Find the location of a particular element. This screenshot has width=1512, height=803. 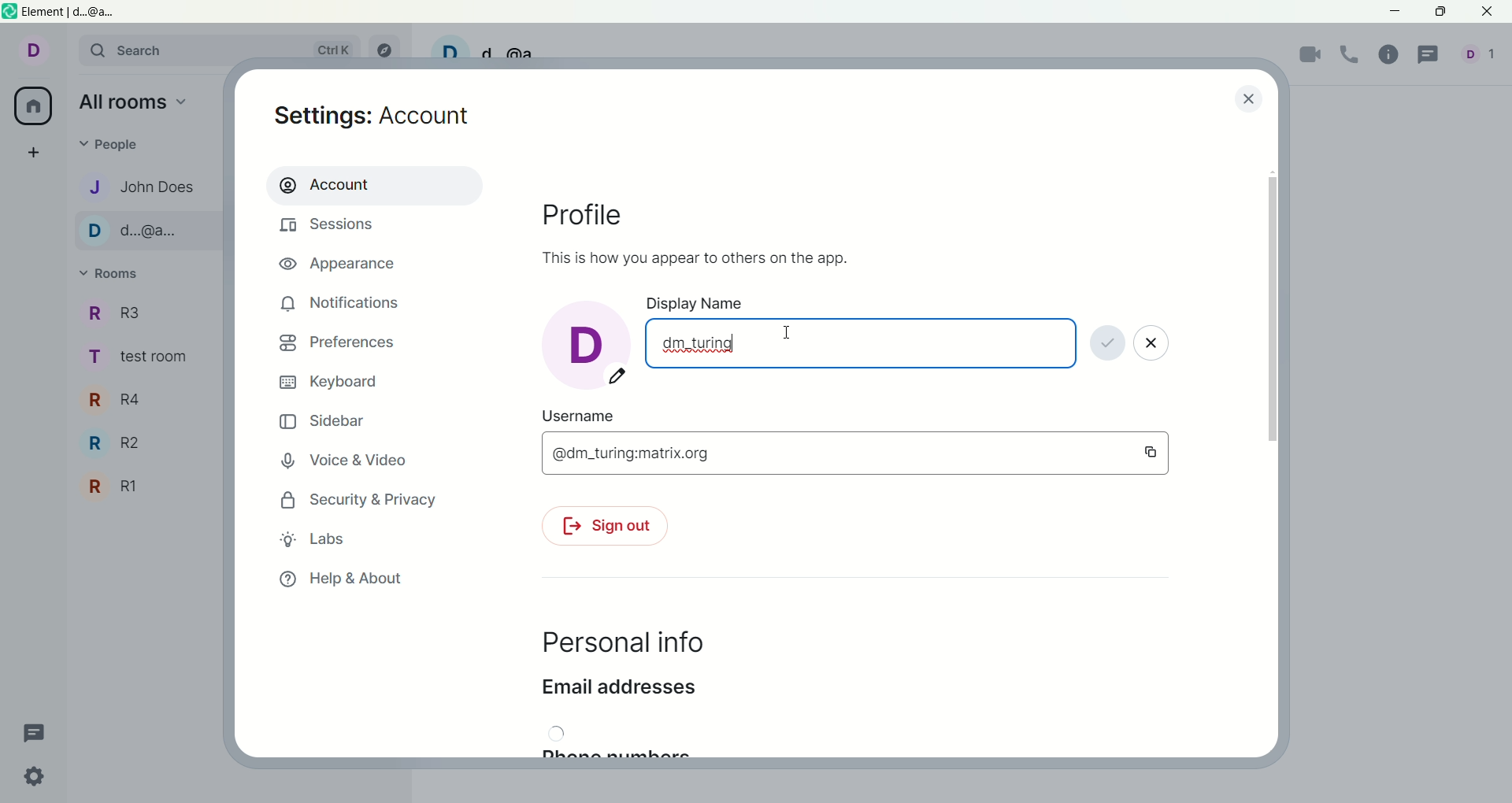

d is located at coordinates (585, 342).